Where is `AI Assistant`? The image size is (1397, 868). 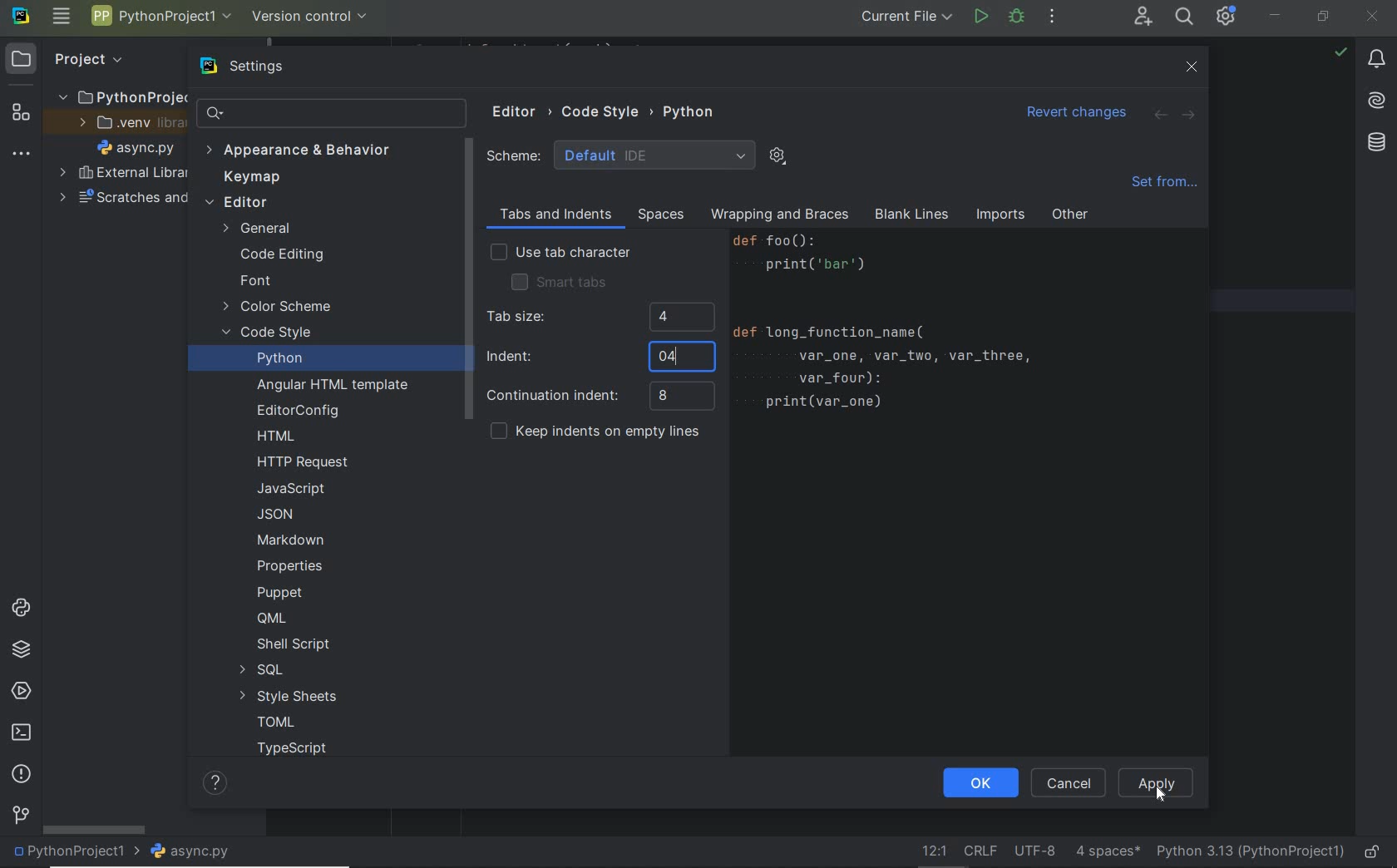 AI Assistant is located at coordinates (1372, 101).